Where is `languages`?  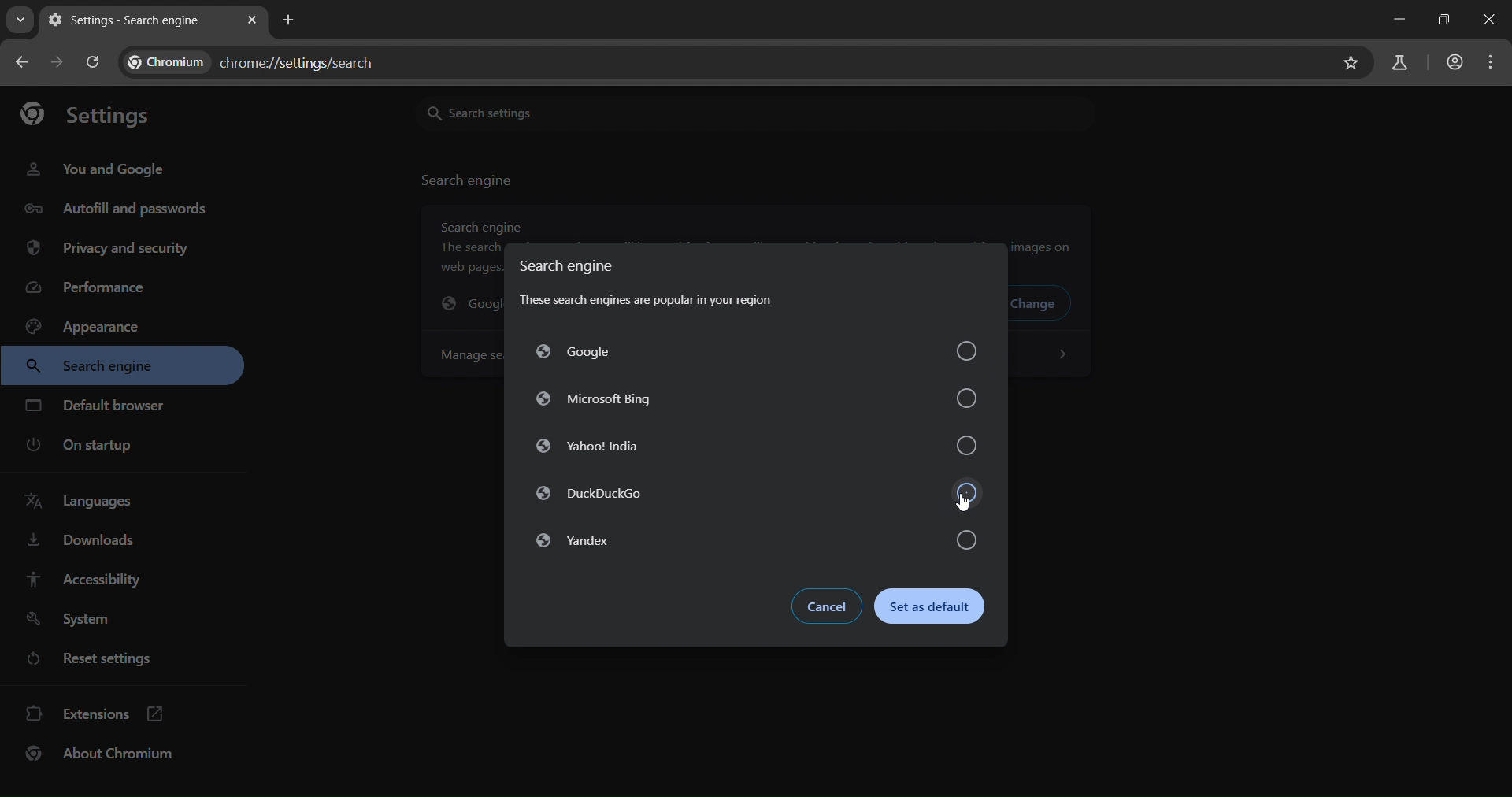 languages is located at coordinates (85, 504).